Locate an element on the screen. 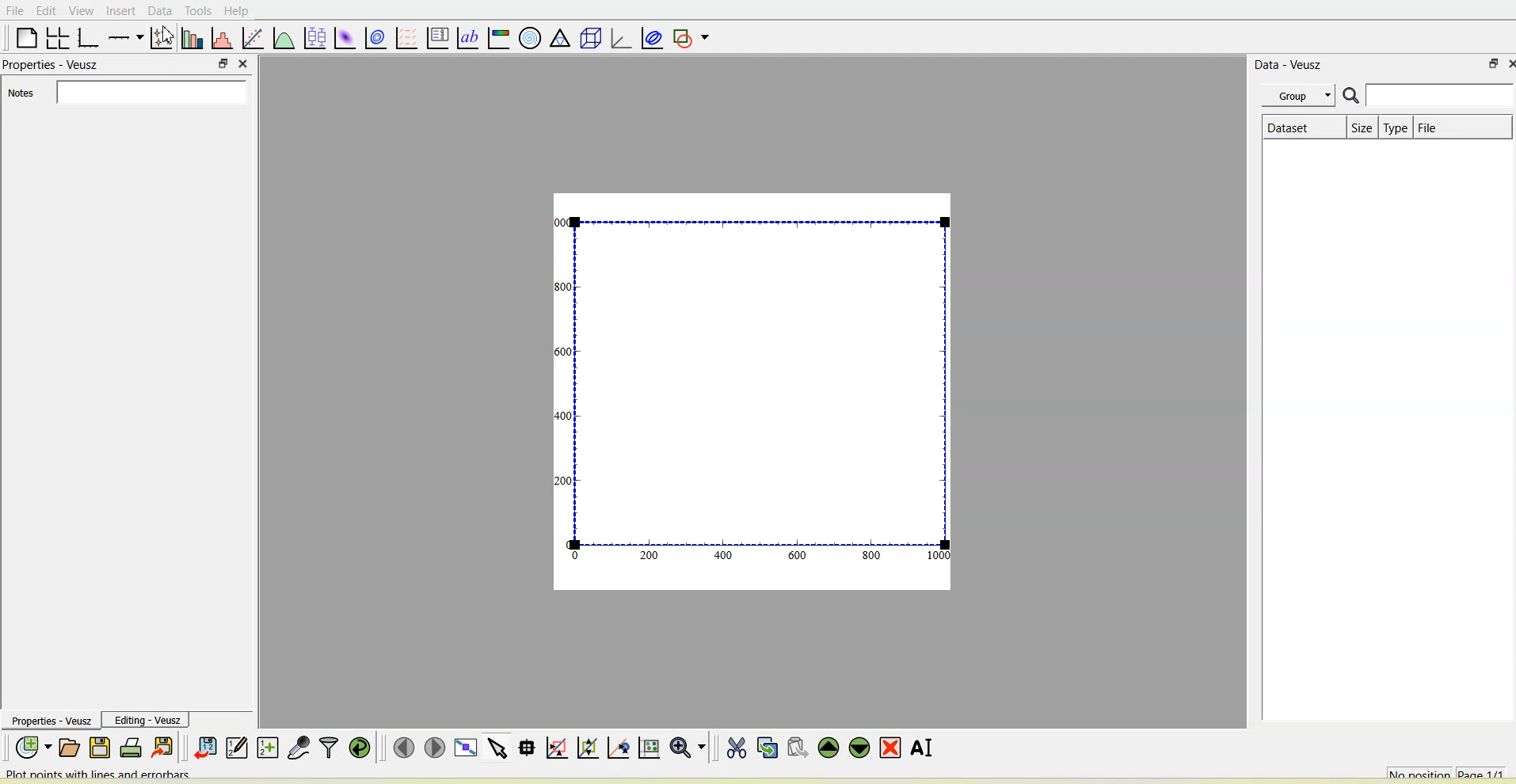  Notes  is located at coordinates (125, 93).